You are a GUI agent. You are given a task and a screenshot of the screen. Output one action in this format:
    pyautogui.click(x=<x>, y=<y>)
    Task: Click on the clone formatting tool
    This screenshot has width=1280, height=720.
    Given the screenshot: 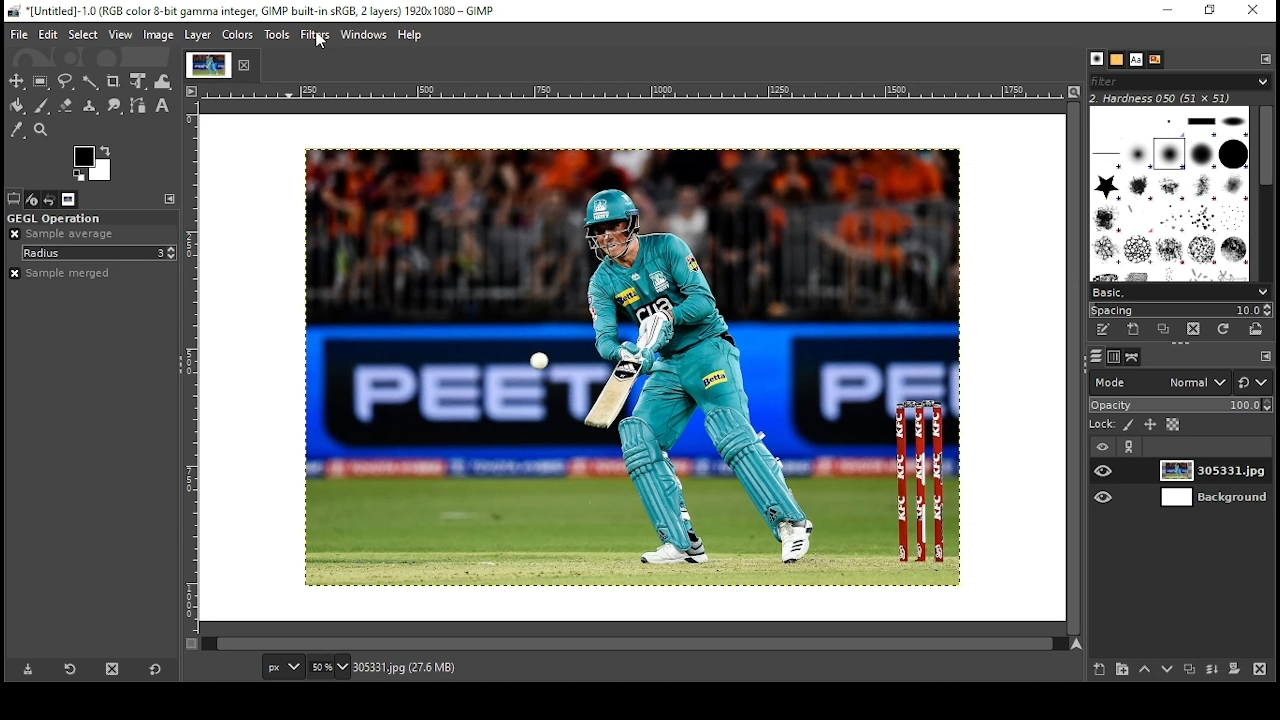 What is the action you would take?
    pyautogui.click(x=90, y=106)
    